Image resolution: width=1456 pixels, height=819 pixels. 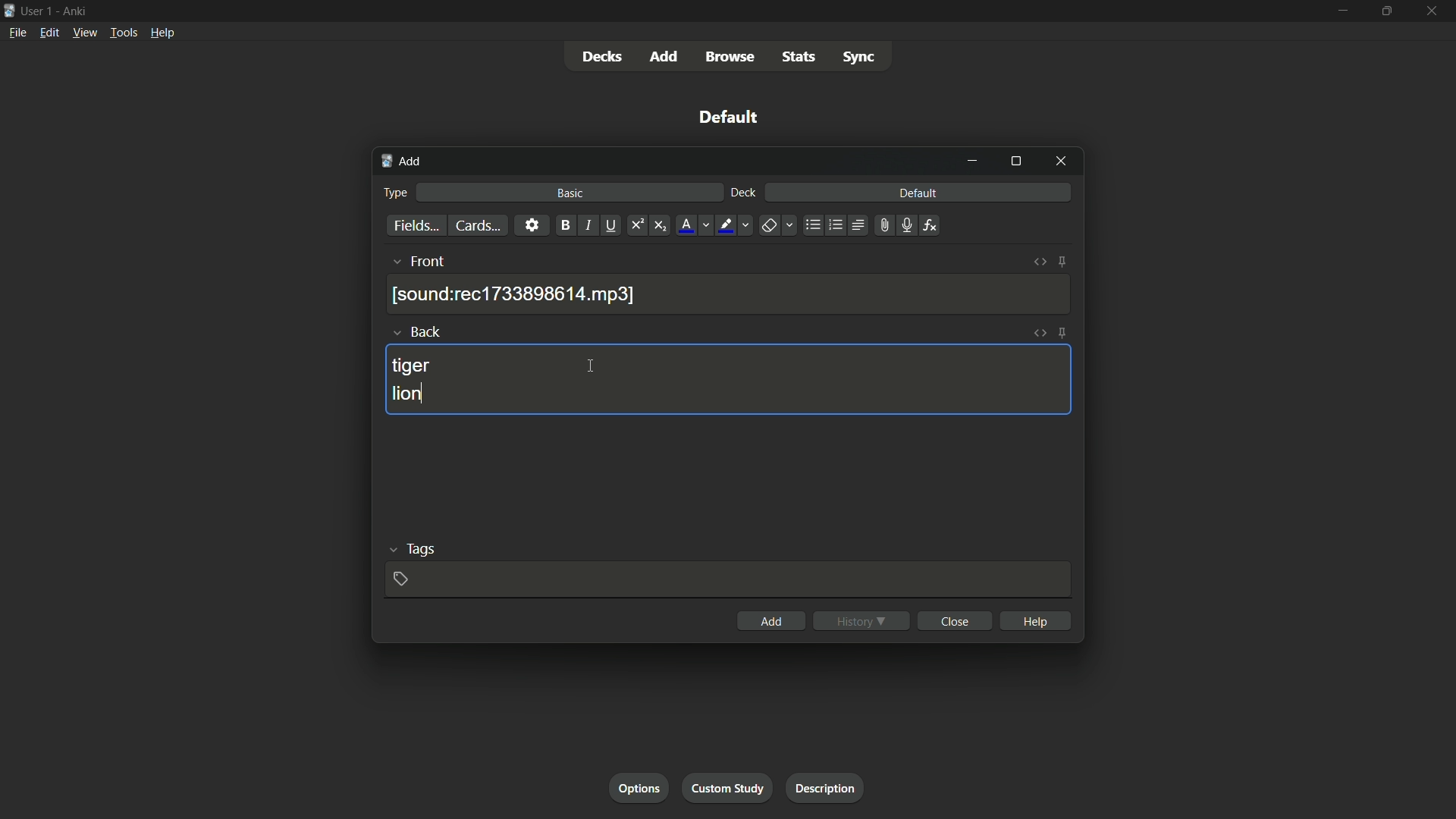 What do you see at coordinates (570, 193) in the screenshot?
I see `basic` at bounding box center [570, 193].